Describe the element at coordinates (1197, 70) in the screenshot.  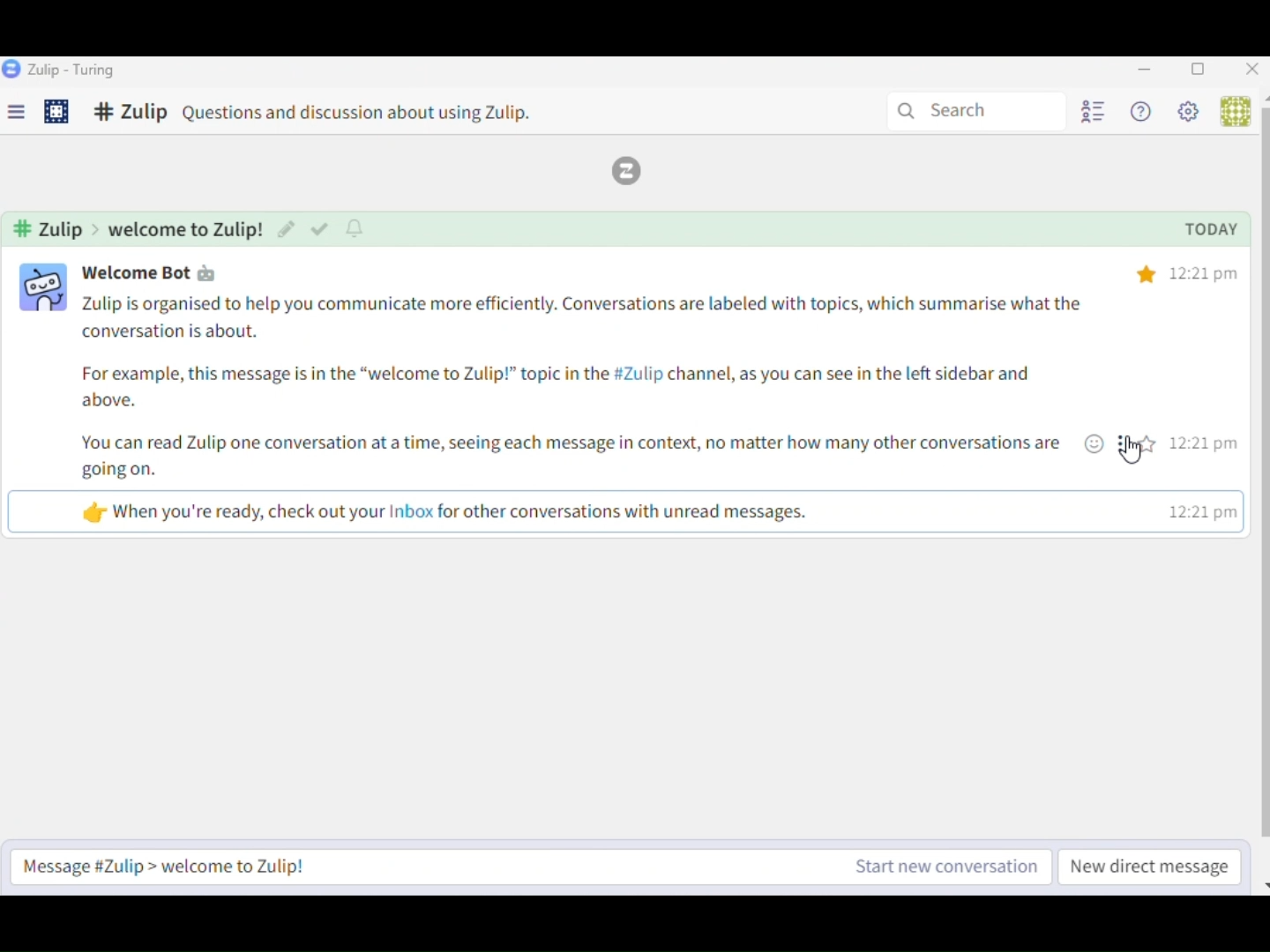
I see `Box` at that location.